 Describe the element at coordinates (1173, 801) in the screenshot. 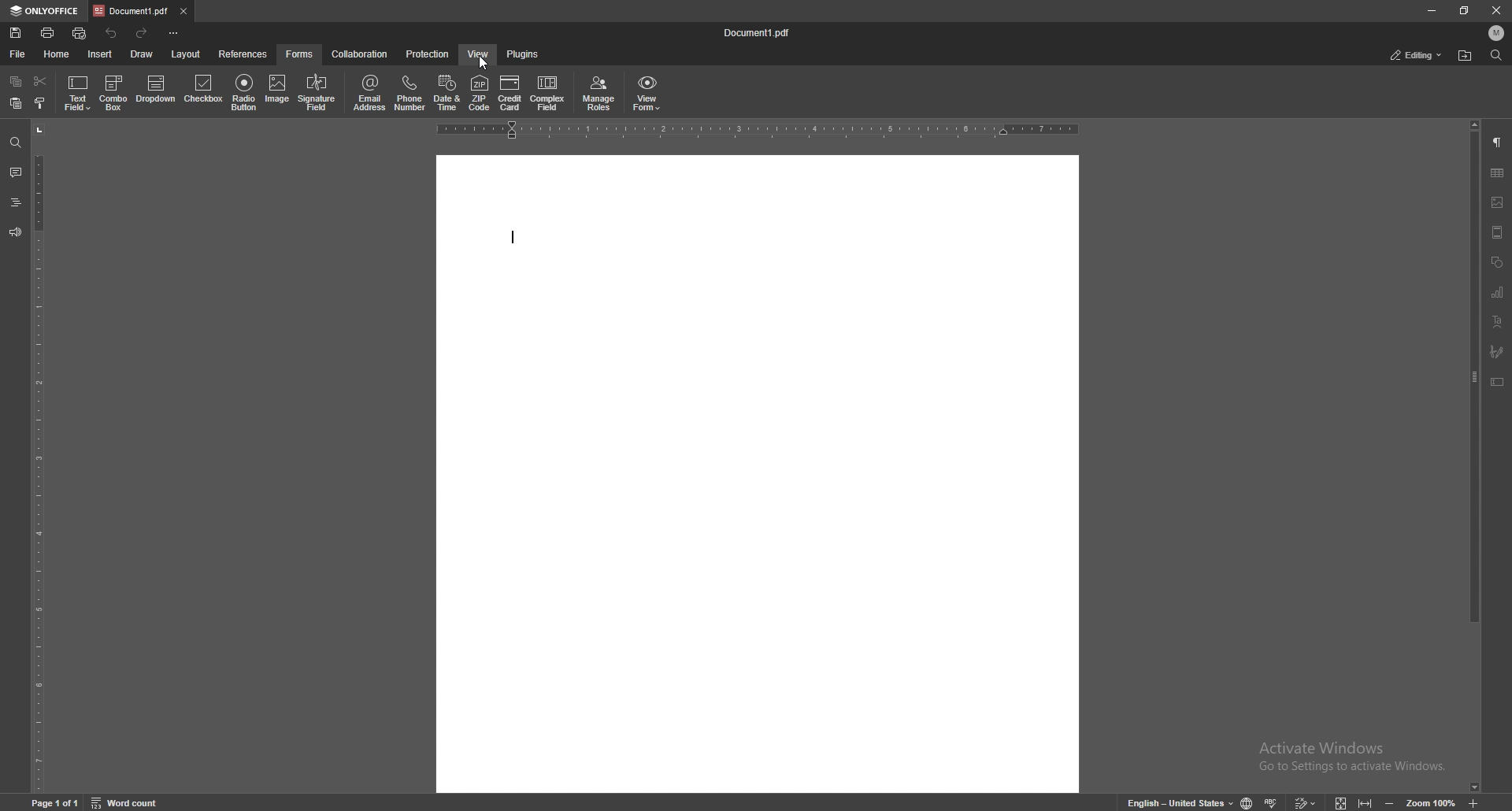

I see `change text language` at that location.